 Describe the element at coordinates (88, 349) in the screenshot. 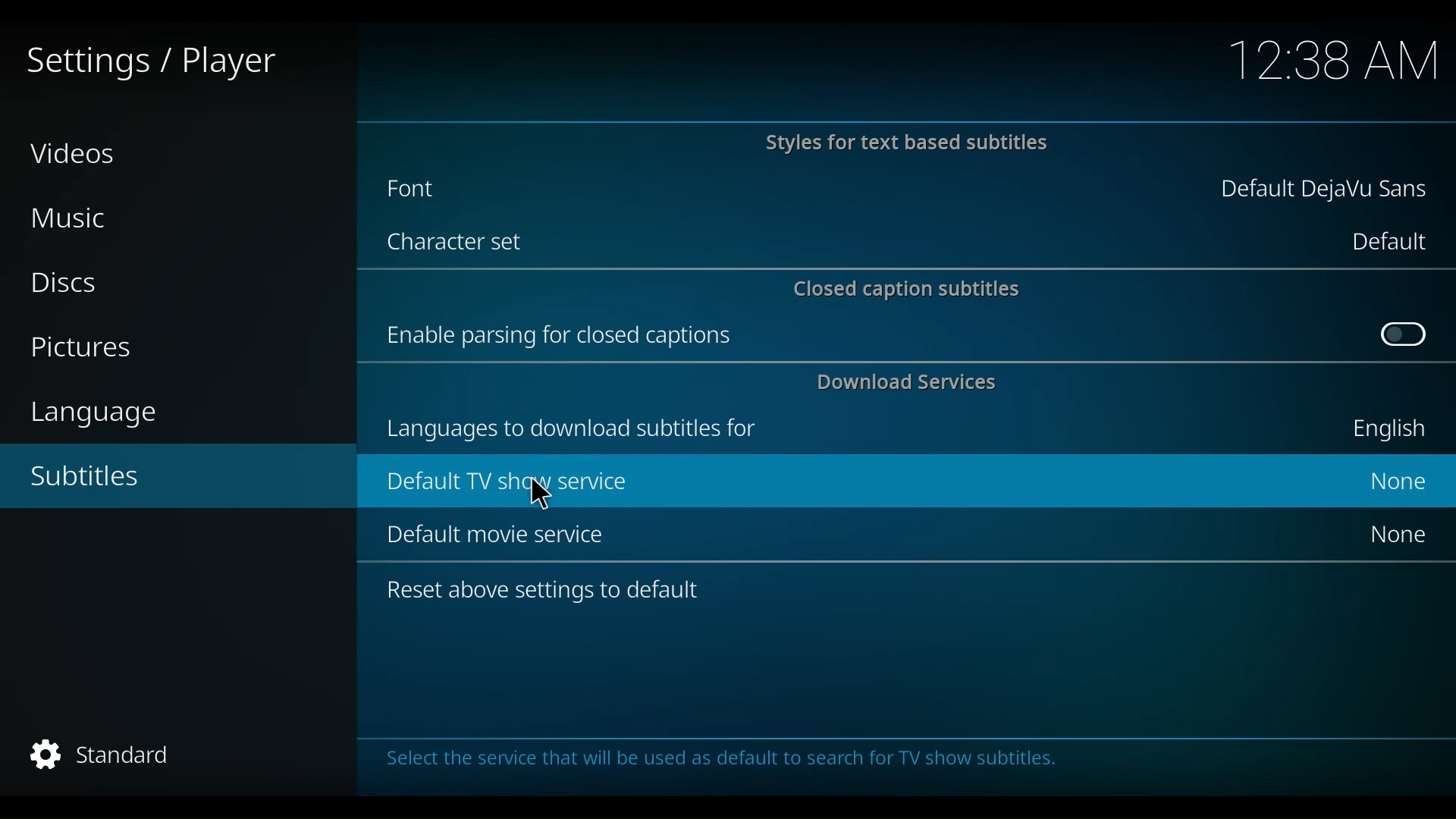

I see `Pictures` at that location.